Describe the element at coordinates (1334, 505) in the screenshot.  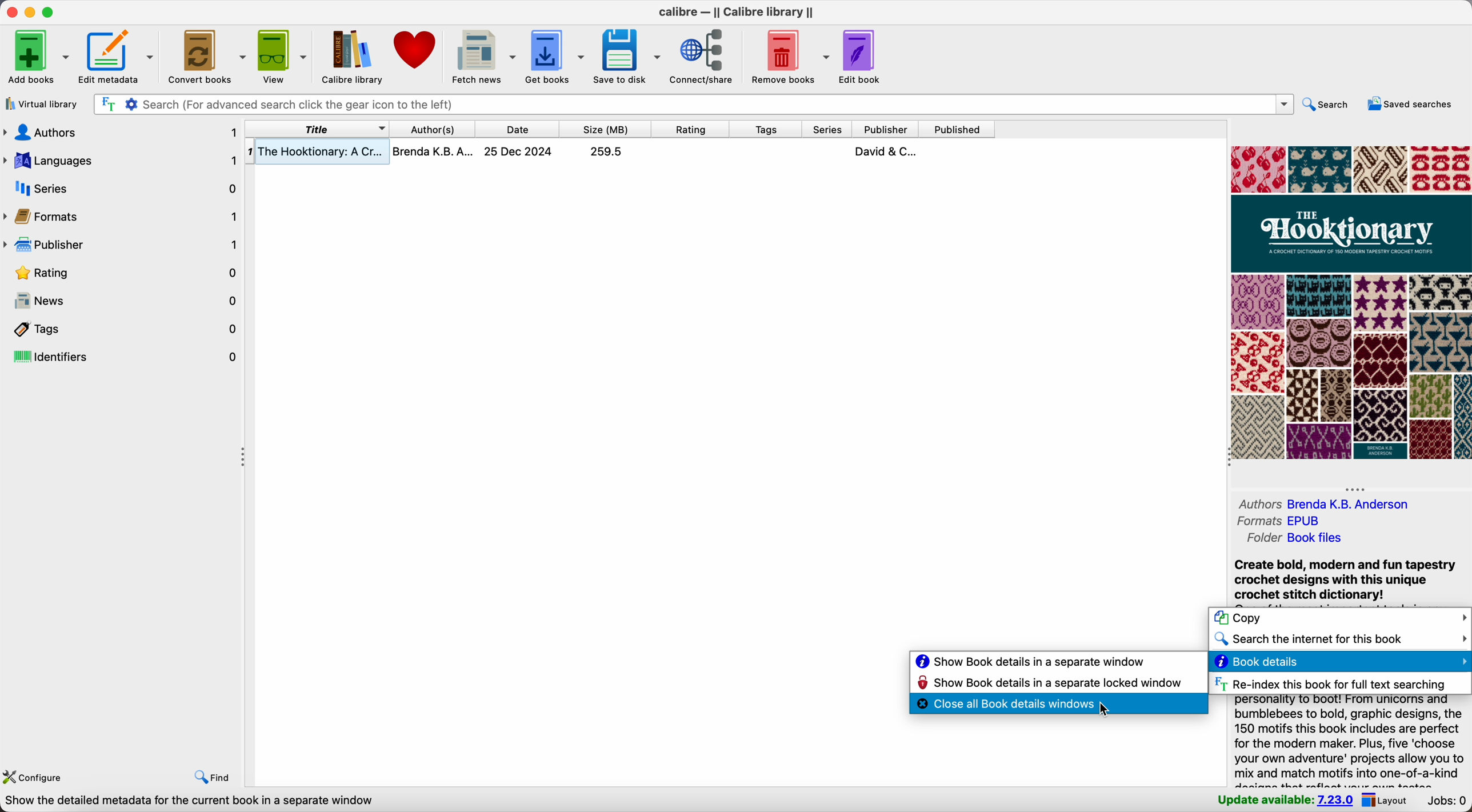
I see `authors` at that location.